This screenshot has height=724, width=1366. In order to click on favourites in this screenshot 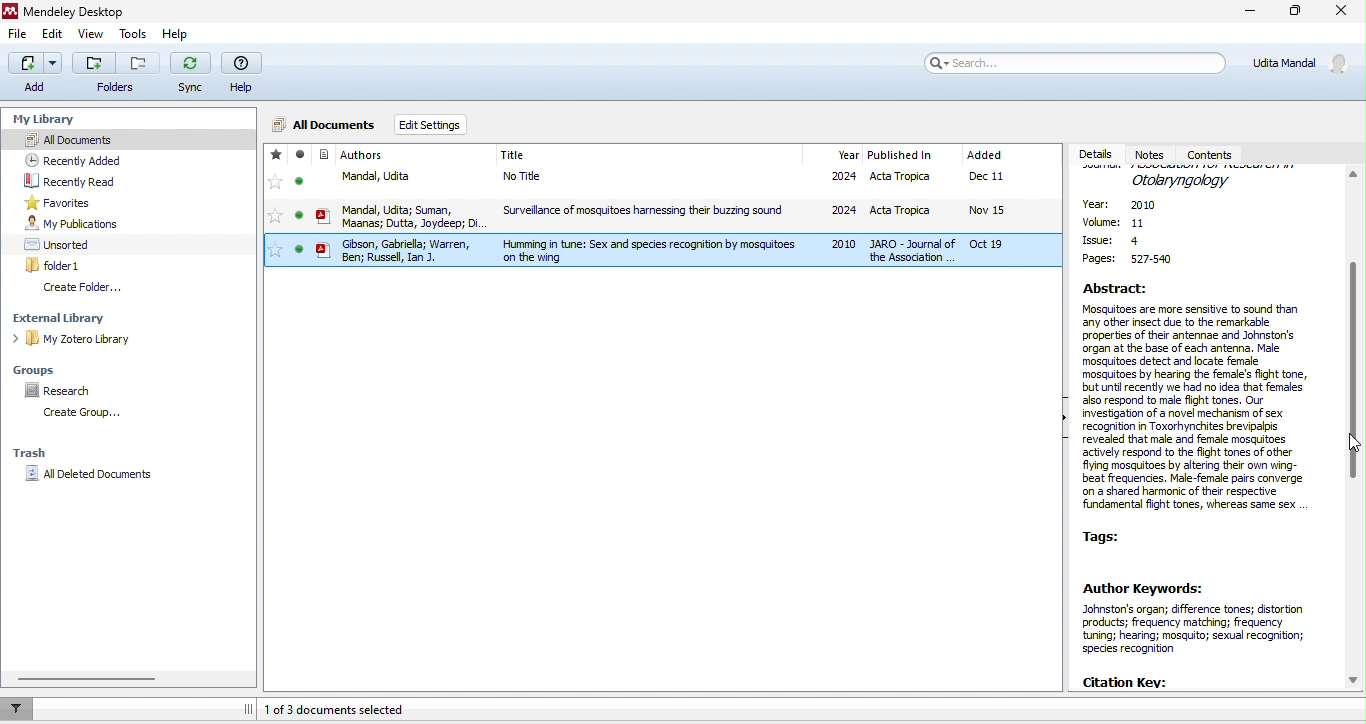, I will do `click(63, 203)`.